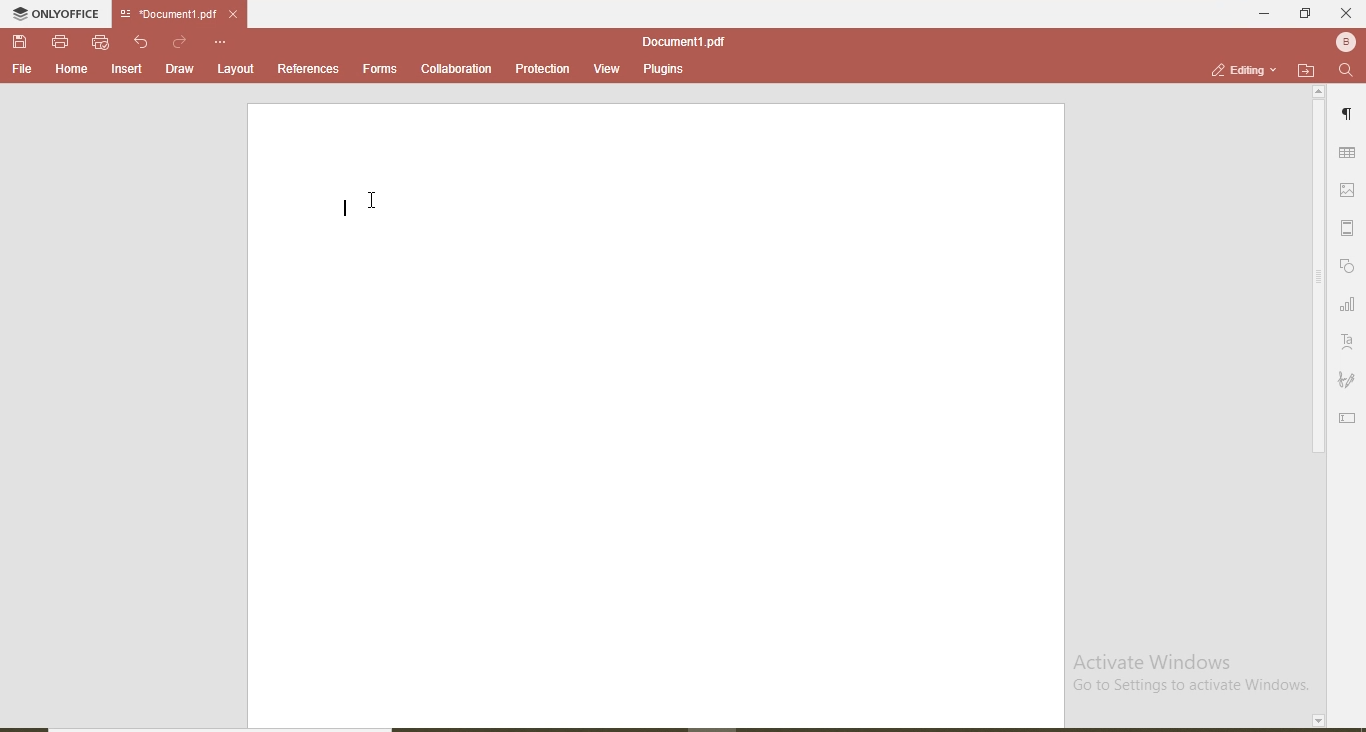 The height and width of the screenshot is (732, 1366). I want to click on vertical scroll bar, so click(1316, 280).